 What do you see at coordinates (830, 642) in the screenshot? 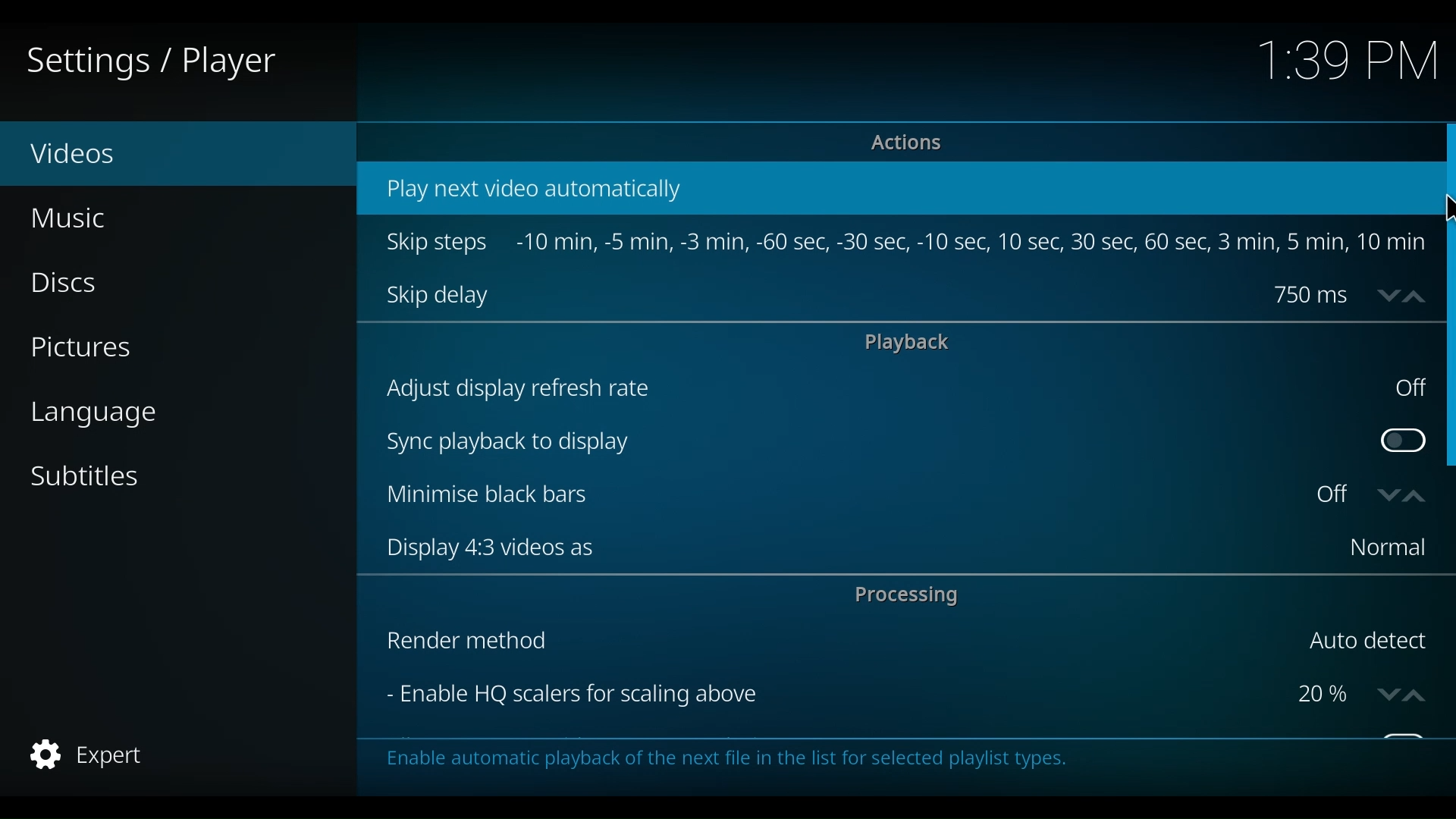
I see `Render method` at bounding box center [830, 642].